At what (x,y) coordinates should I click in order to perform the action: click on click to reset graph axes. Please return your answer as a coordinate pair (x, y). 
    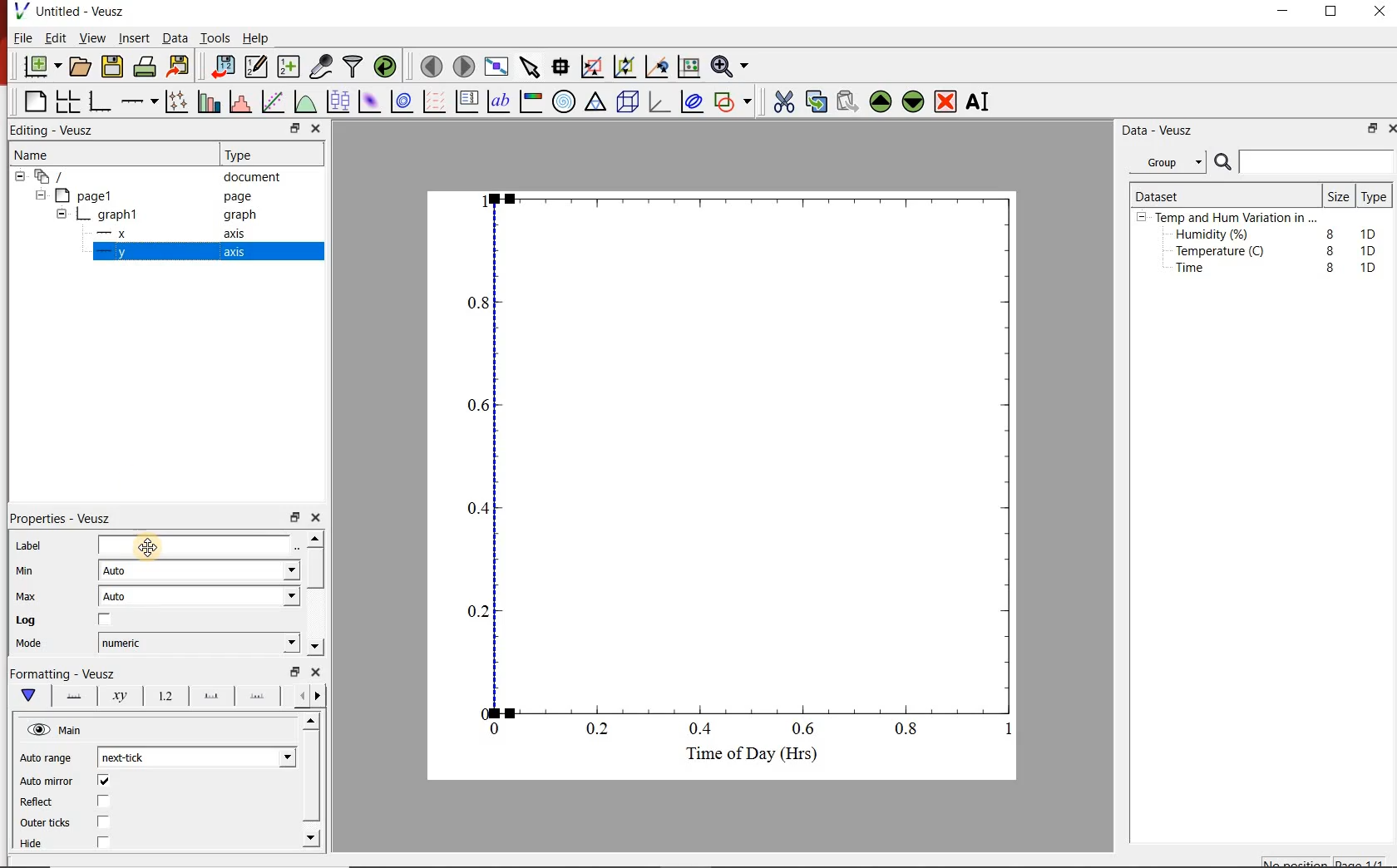
    Looking at the image, I should click on (686, 67).